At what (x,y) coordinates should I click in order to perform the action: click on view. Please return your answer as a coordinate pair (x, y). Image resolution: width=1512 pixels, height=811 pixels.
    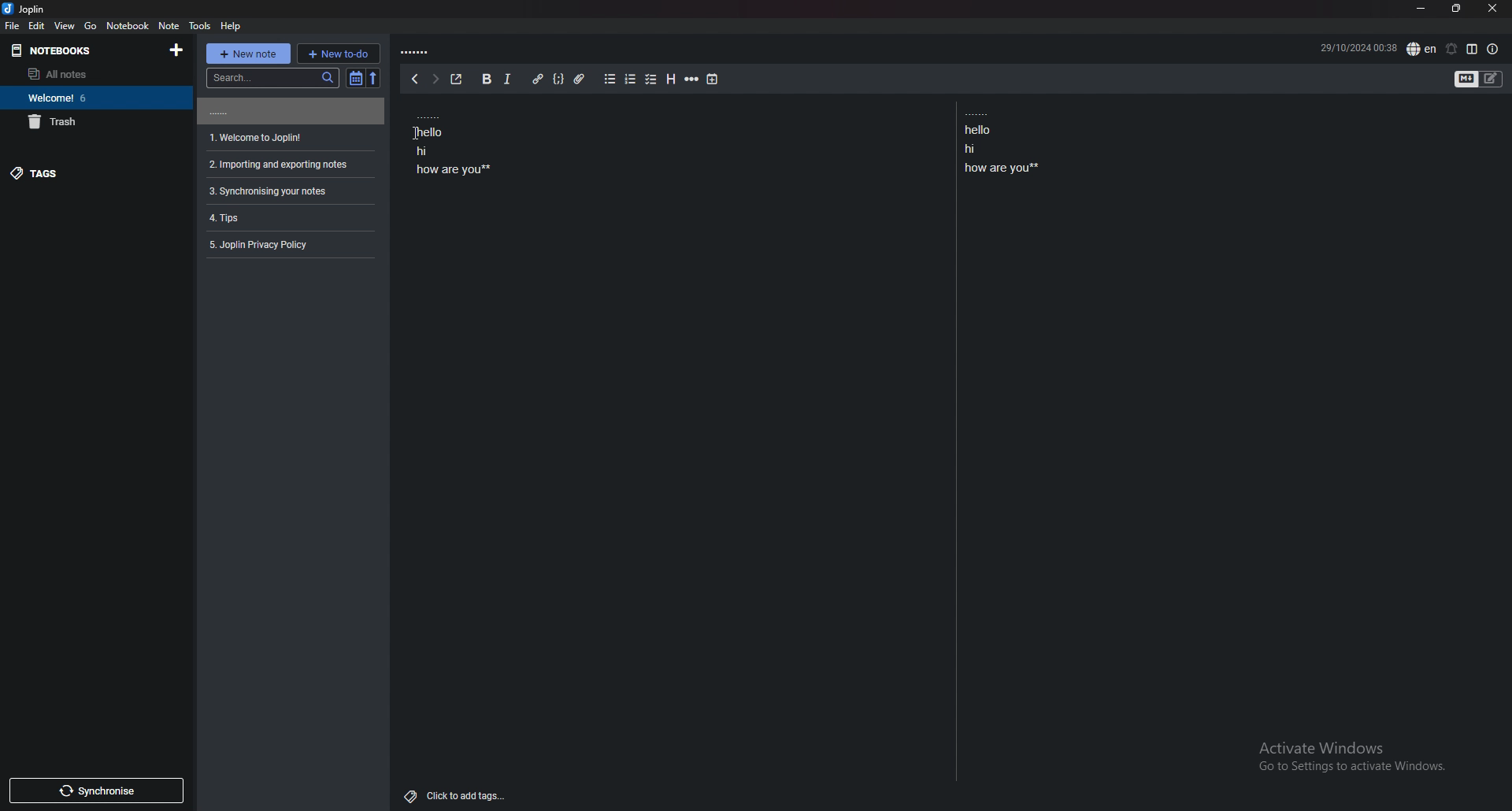
    Looking at the image, I should click on (66, 26).